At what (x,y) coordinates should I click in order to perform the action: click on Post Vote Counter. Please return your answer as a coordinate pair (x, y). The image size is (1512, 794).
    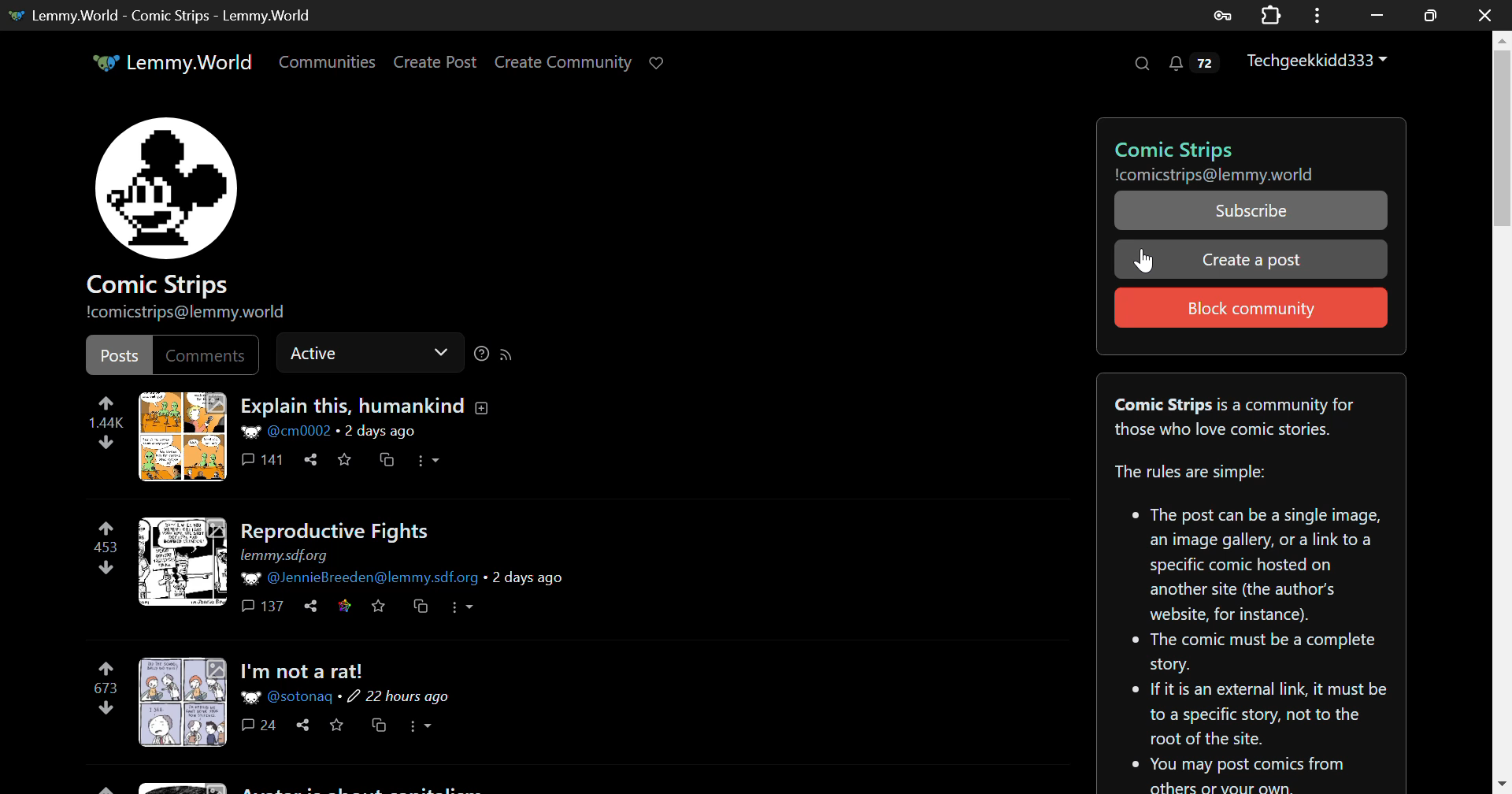
    Looking at the image, I should click on (106, 547).